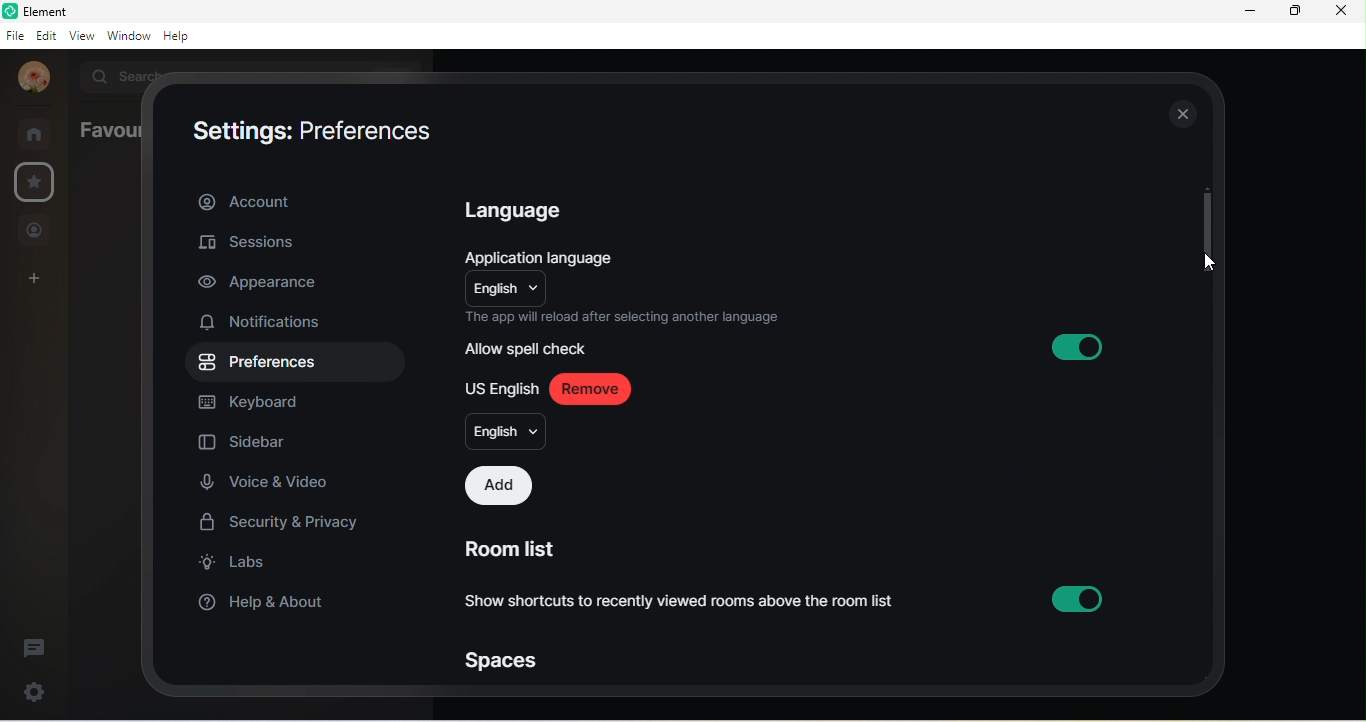 The width and height of the screenshot is (1366, 722). What do you see at coordinates (1093, 346) in the screenshot?
I see `button` at bounding box center [1093, 346].